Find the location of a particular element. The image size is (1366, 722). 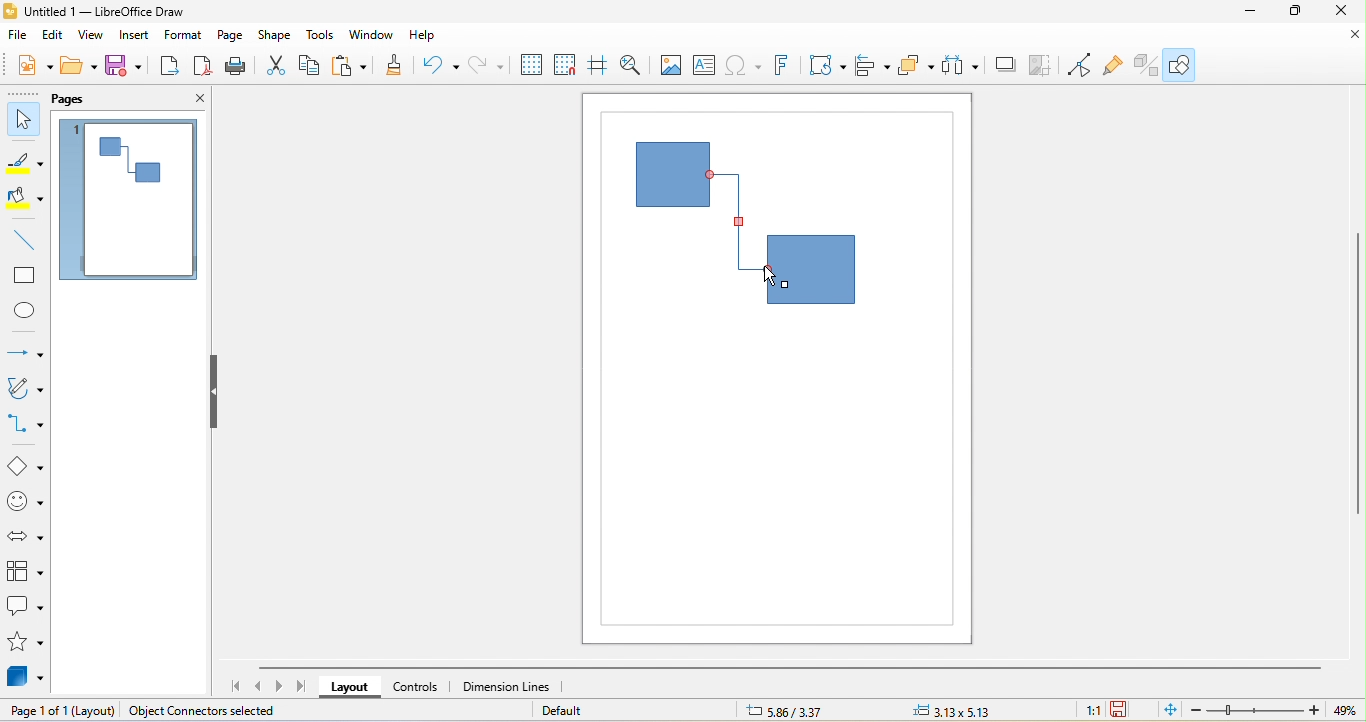

save is located at coordinates (122, 66).